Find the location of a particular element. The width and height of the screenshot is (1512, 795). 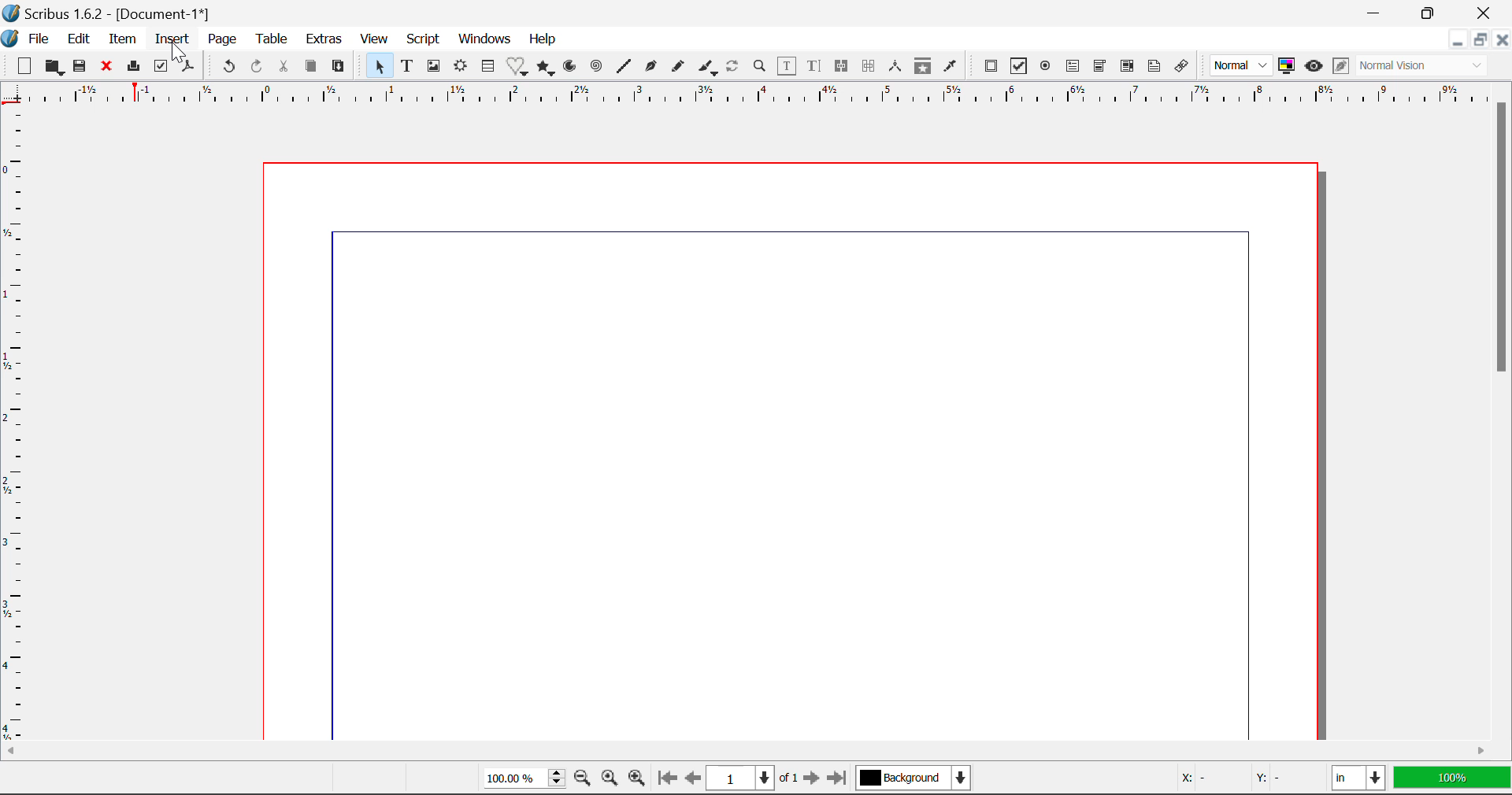

Normal Vision is located at coordinates (1424, 67).